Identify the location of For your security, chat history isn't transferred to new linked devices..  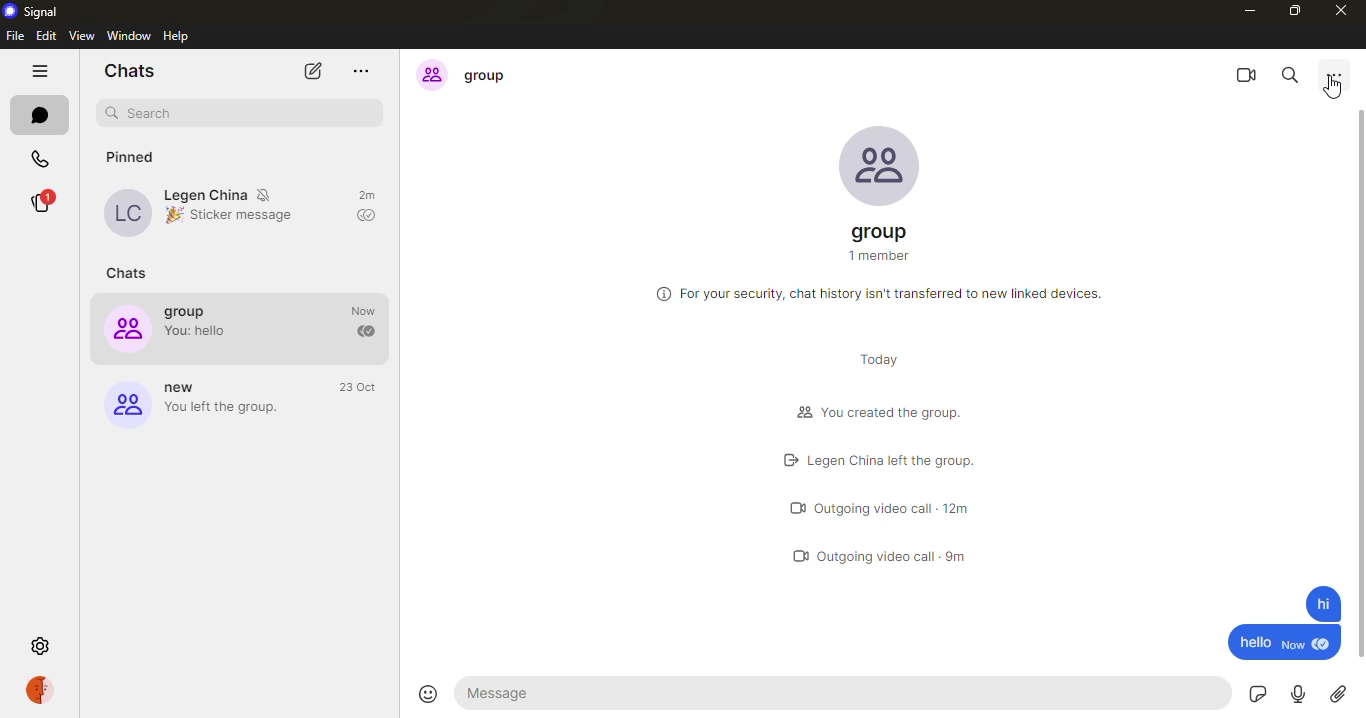
(891, 293).